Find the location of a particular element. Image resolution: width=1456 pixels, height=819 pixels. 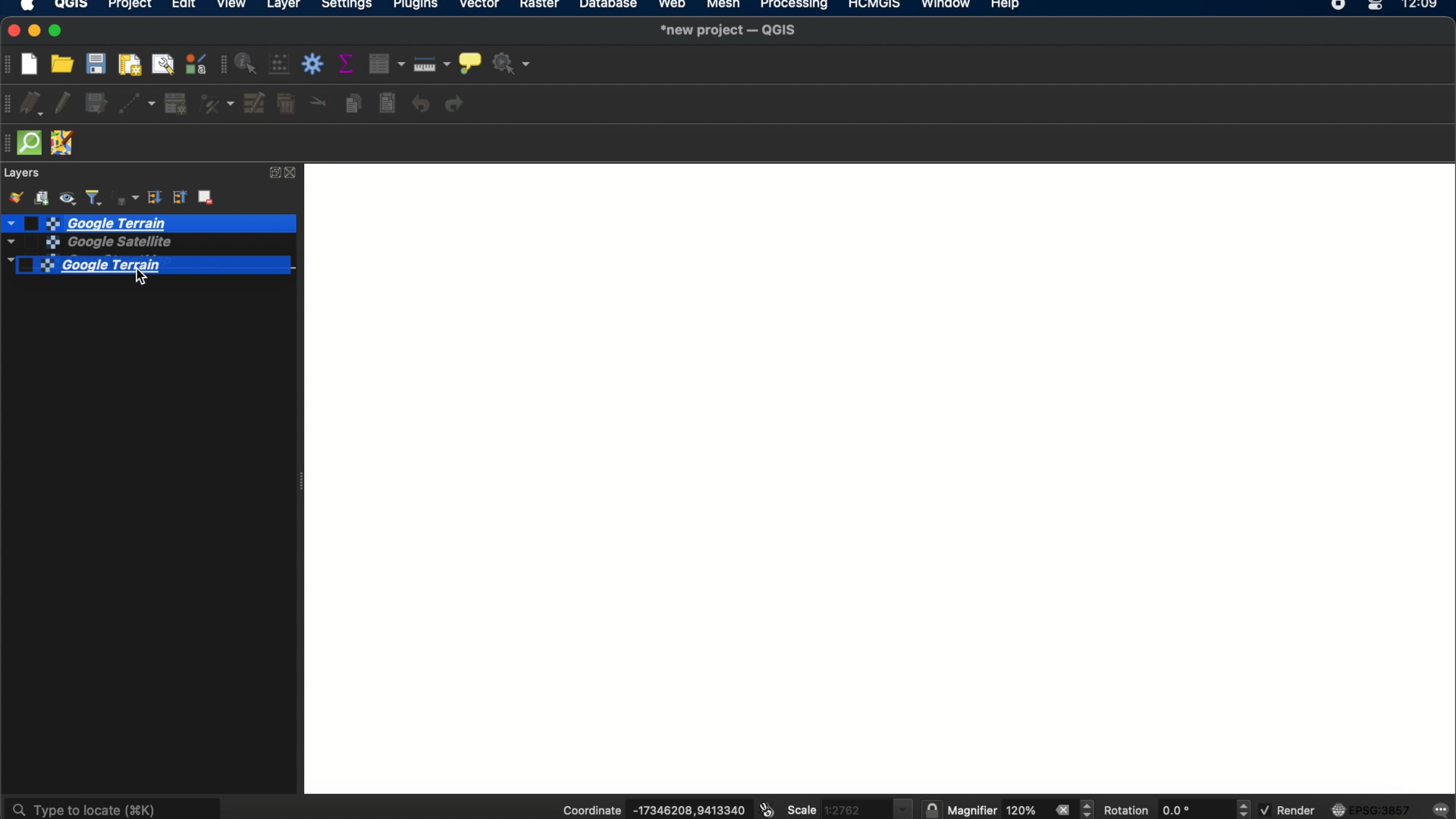

vector is located at coordinates (481, 7).